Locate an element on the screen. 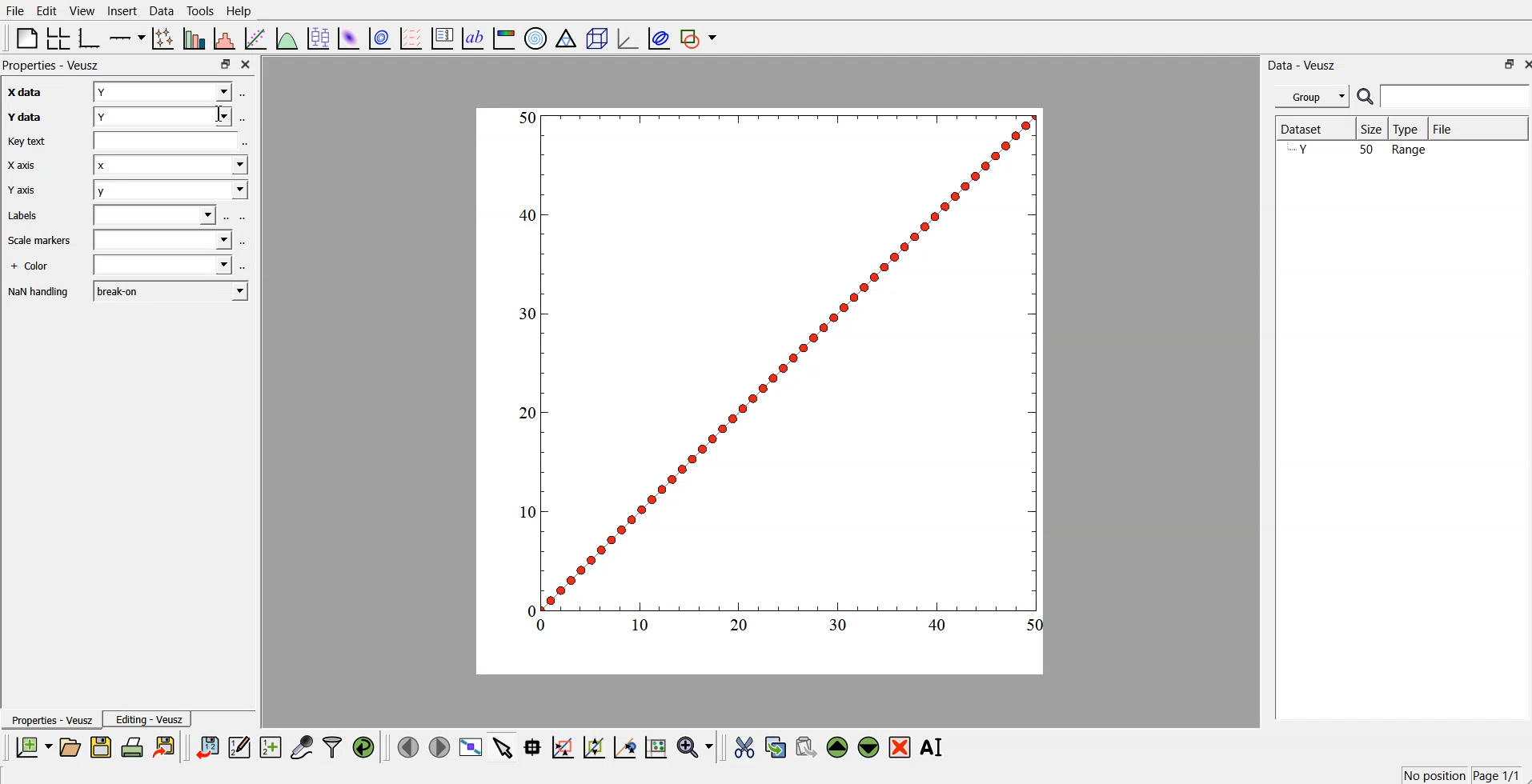 The width and height of the screenshot is (1532, 784). filter data is located at coordinates (332, 747).